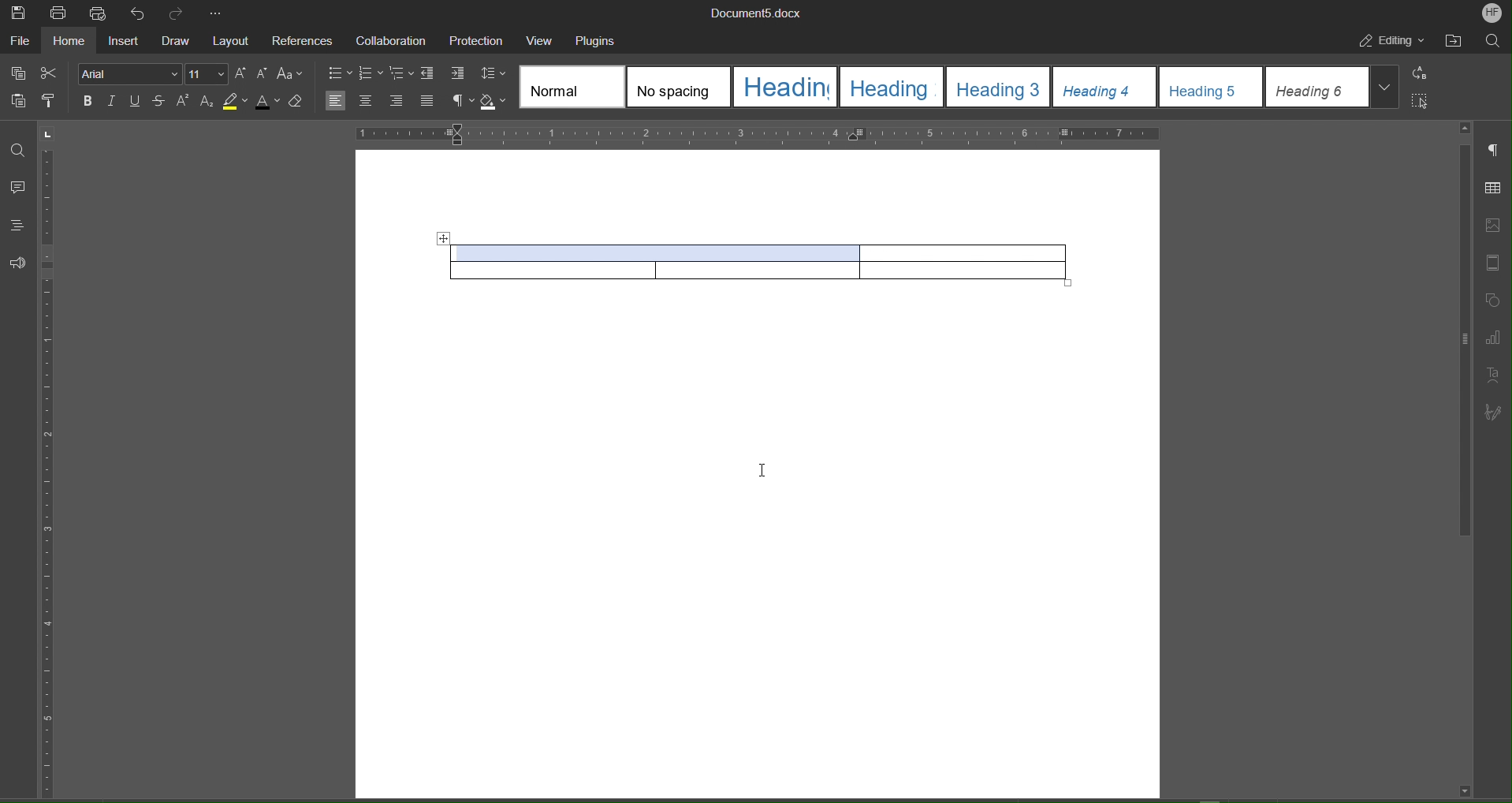  What do you see at coordinates (268, 101) in the screenshot?
I see `Text Color` at bounding box center [268, 101].